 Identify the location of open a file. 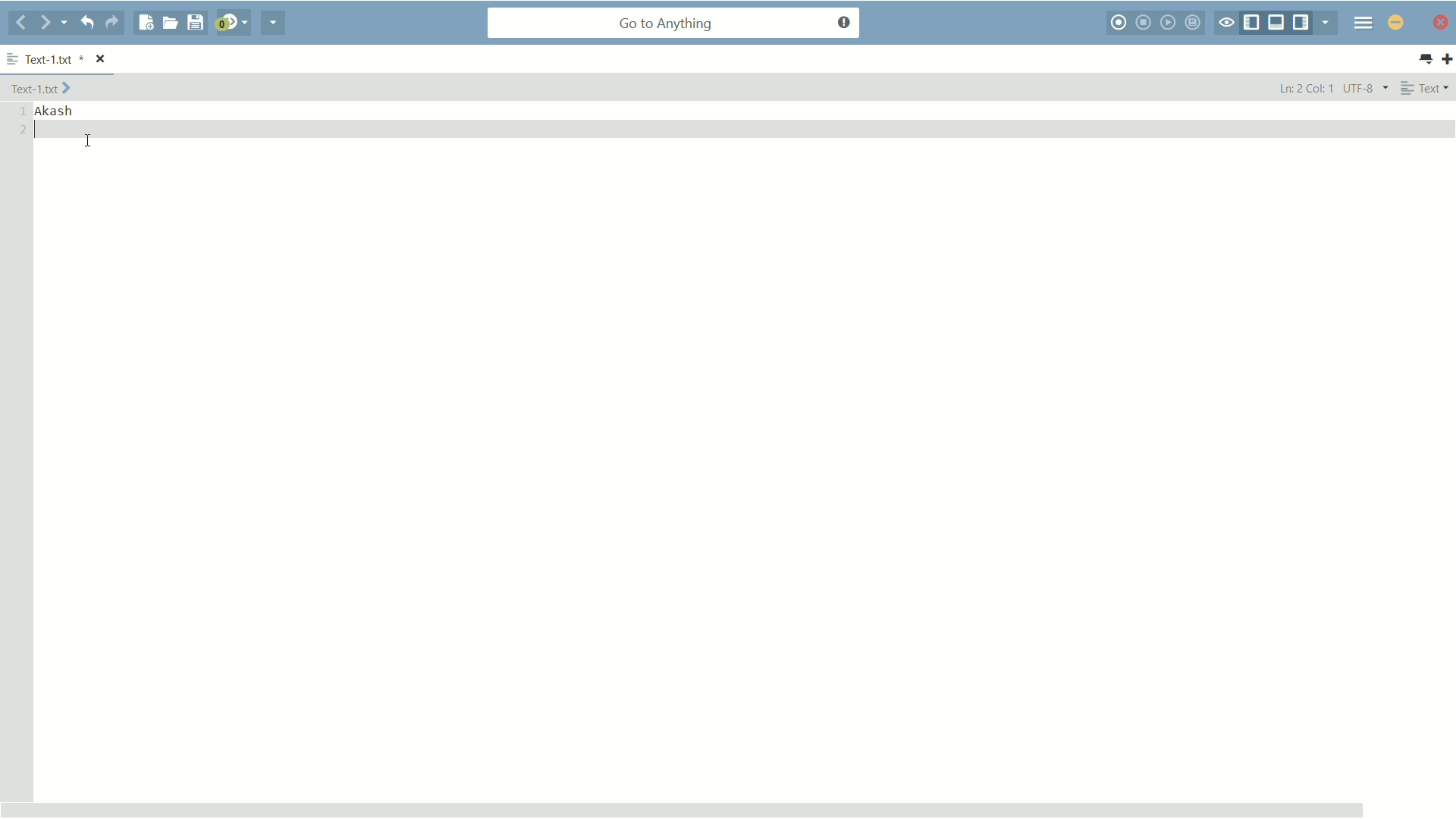
(170, 24).